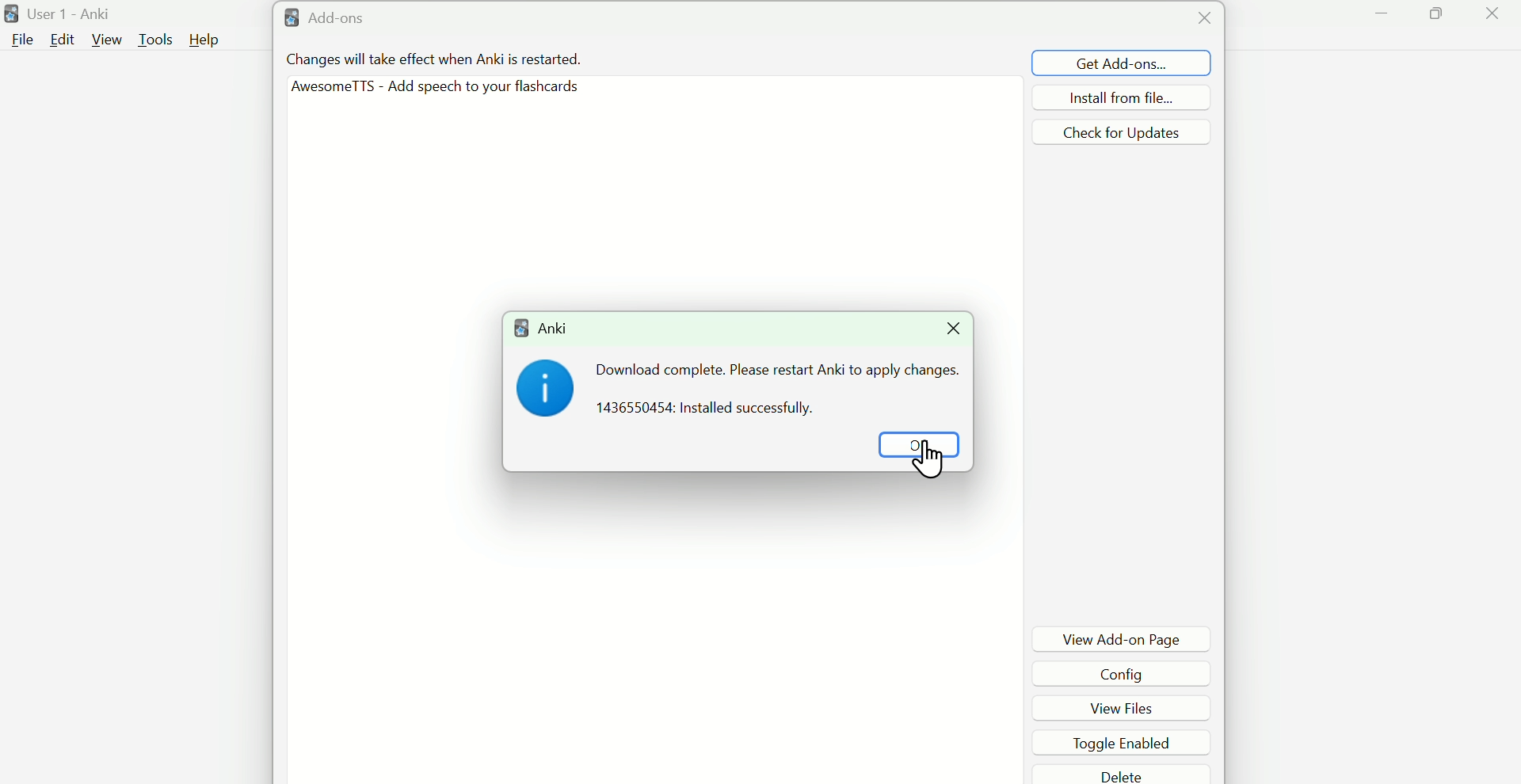  Describe the element at coordinates (107, 40) in the screenshot. I see `View` at that location.